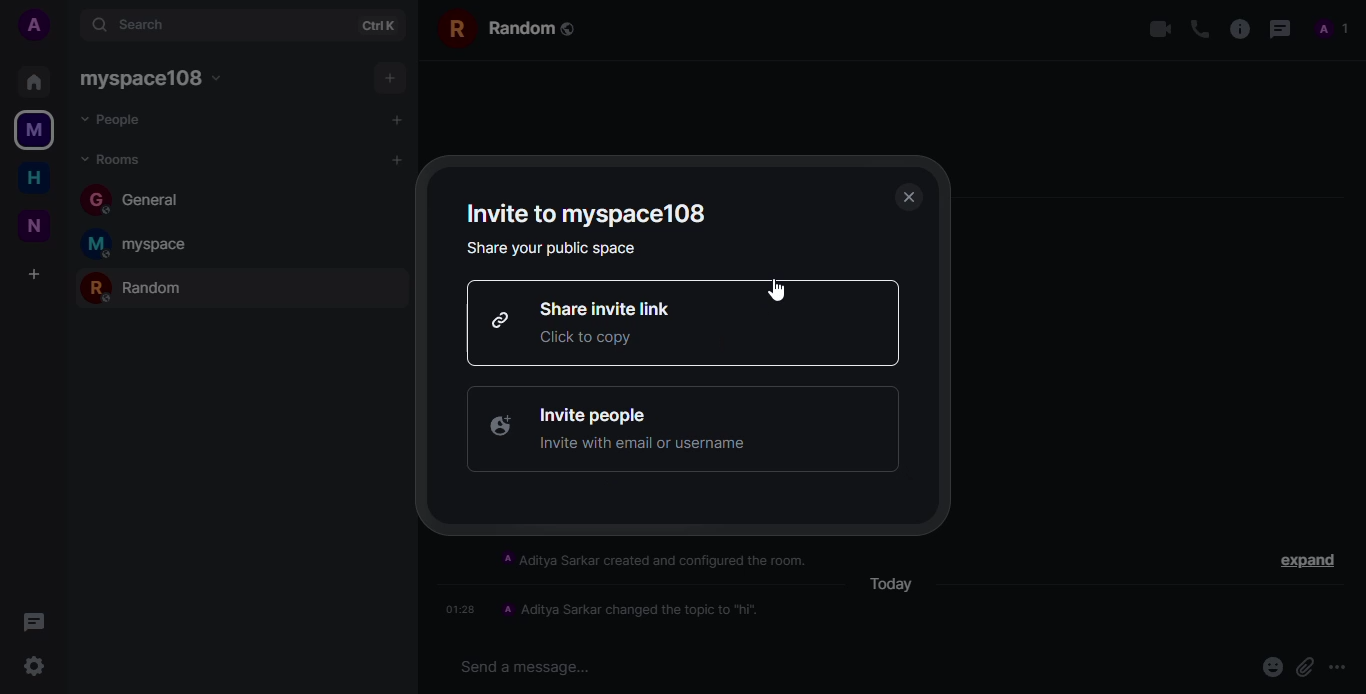 The height and width of the screenshot is (694, 1366). What do you see at coordinates (396, 118) in the screenshot?
I see `add` at bounding box center [396, 118].